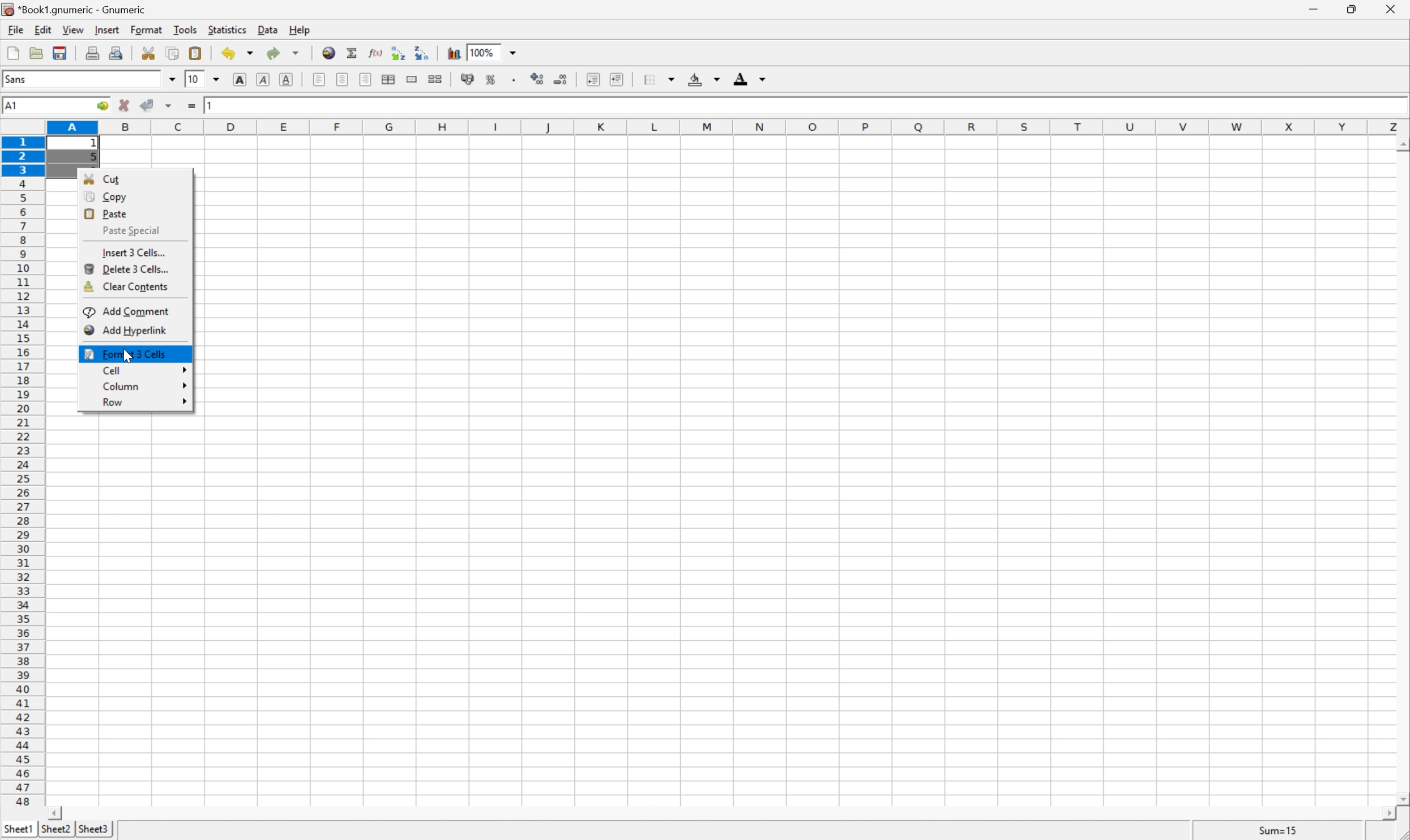  Describe the element at coordinates (106, 28) in the screenshot. I see `insert` at that location.